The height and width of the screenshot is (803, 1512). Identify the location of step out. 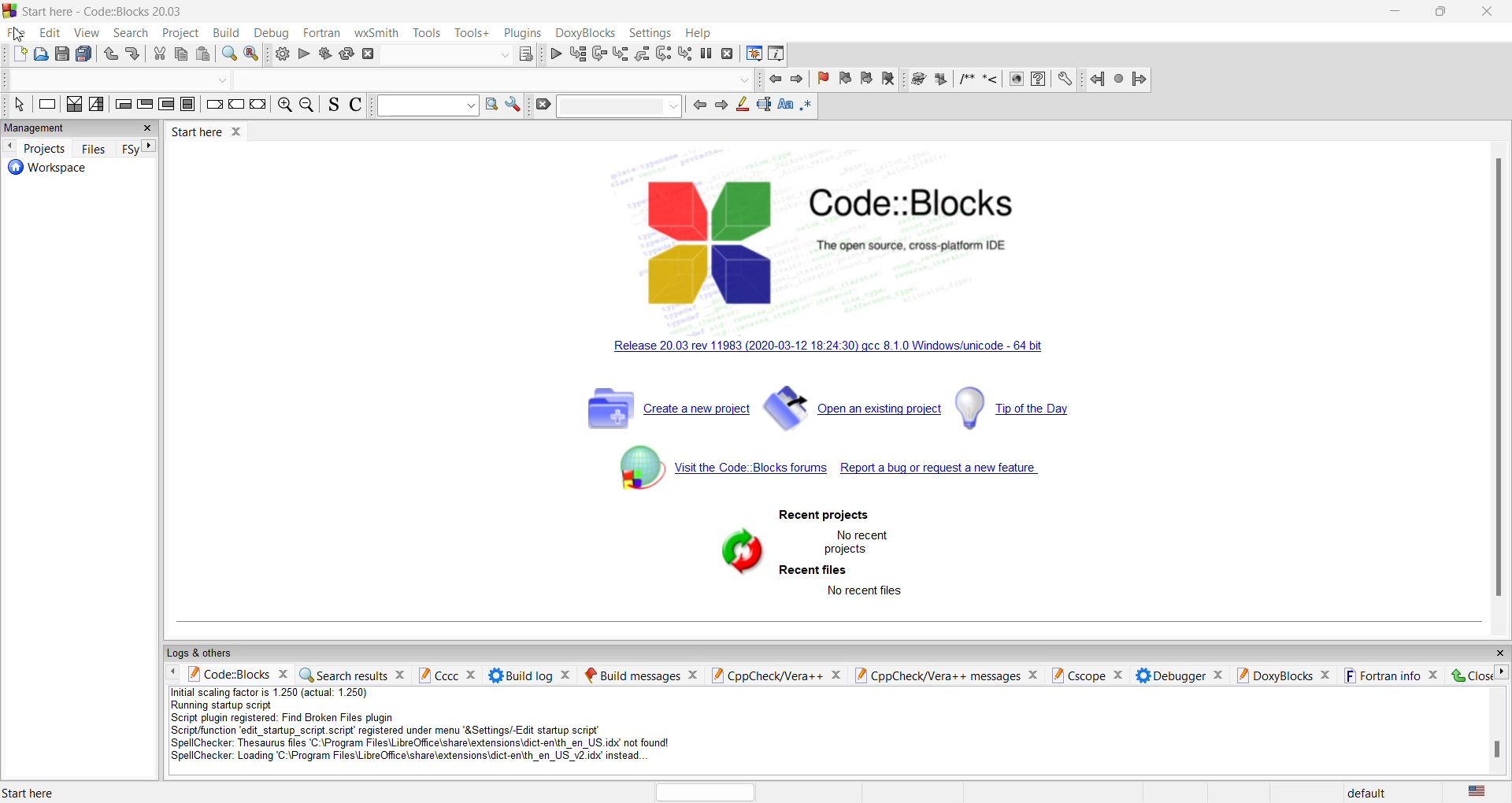
(618, 54).